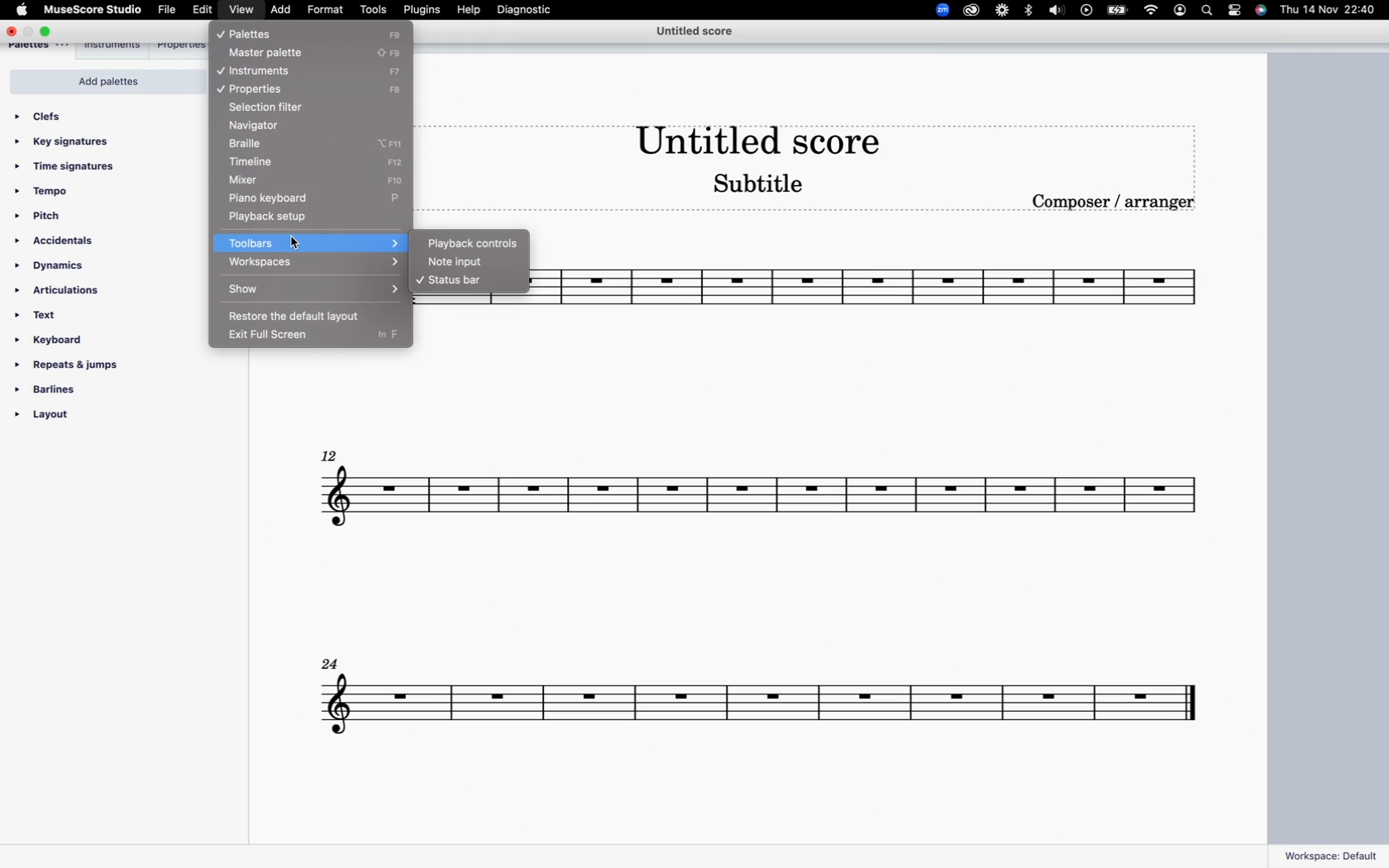 The width and height of the screenshot is (1389, 868). What do you see at coordinates (270, 125) in the screenshot?
I see `navigator` at bounding box center [270, 125].